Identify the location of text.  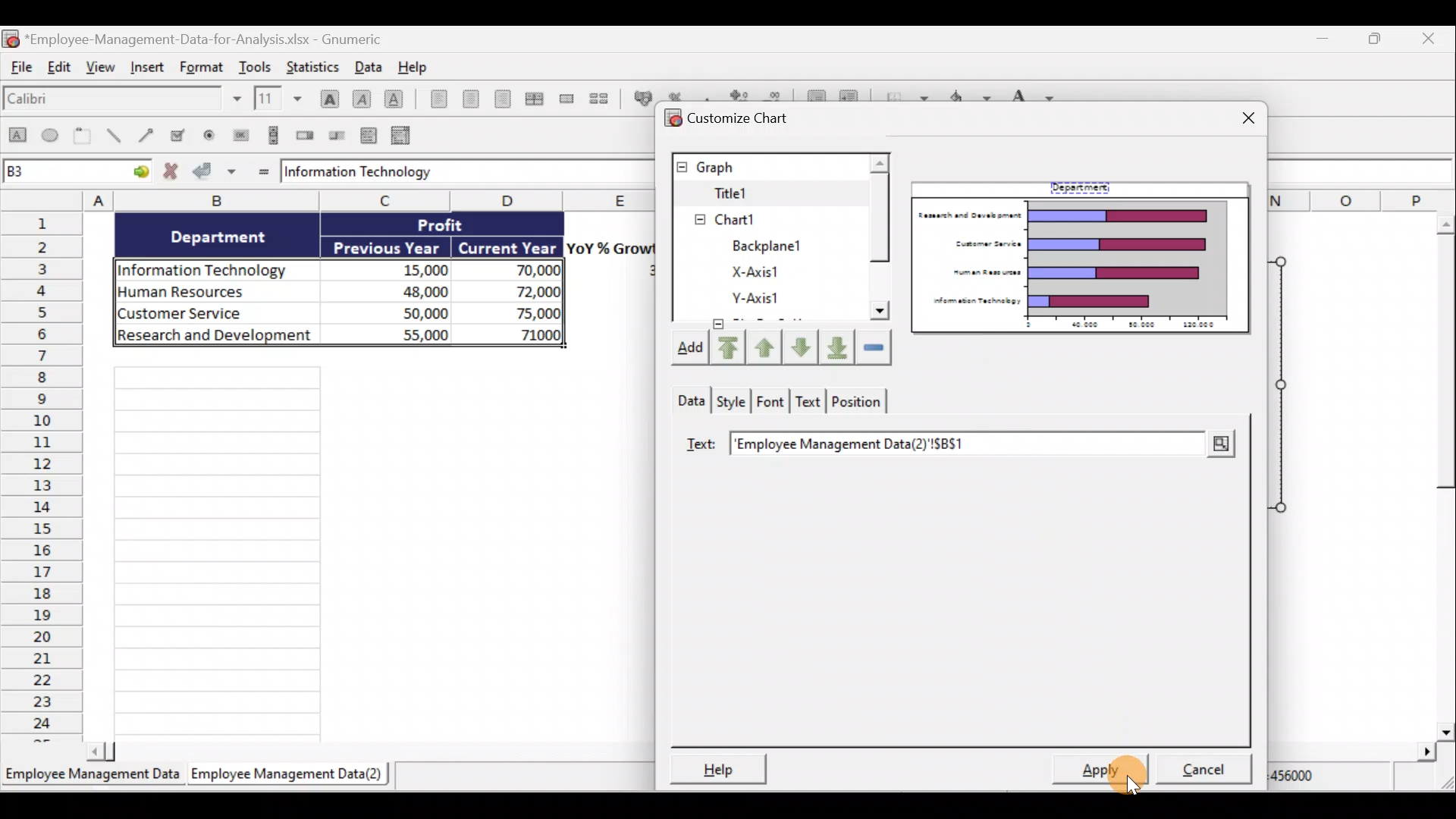
(701, 445).